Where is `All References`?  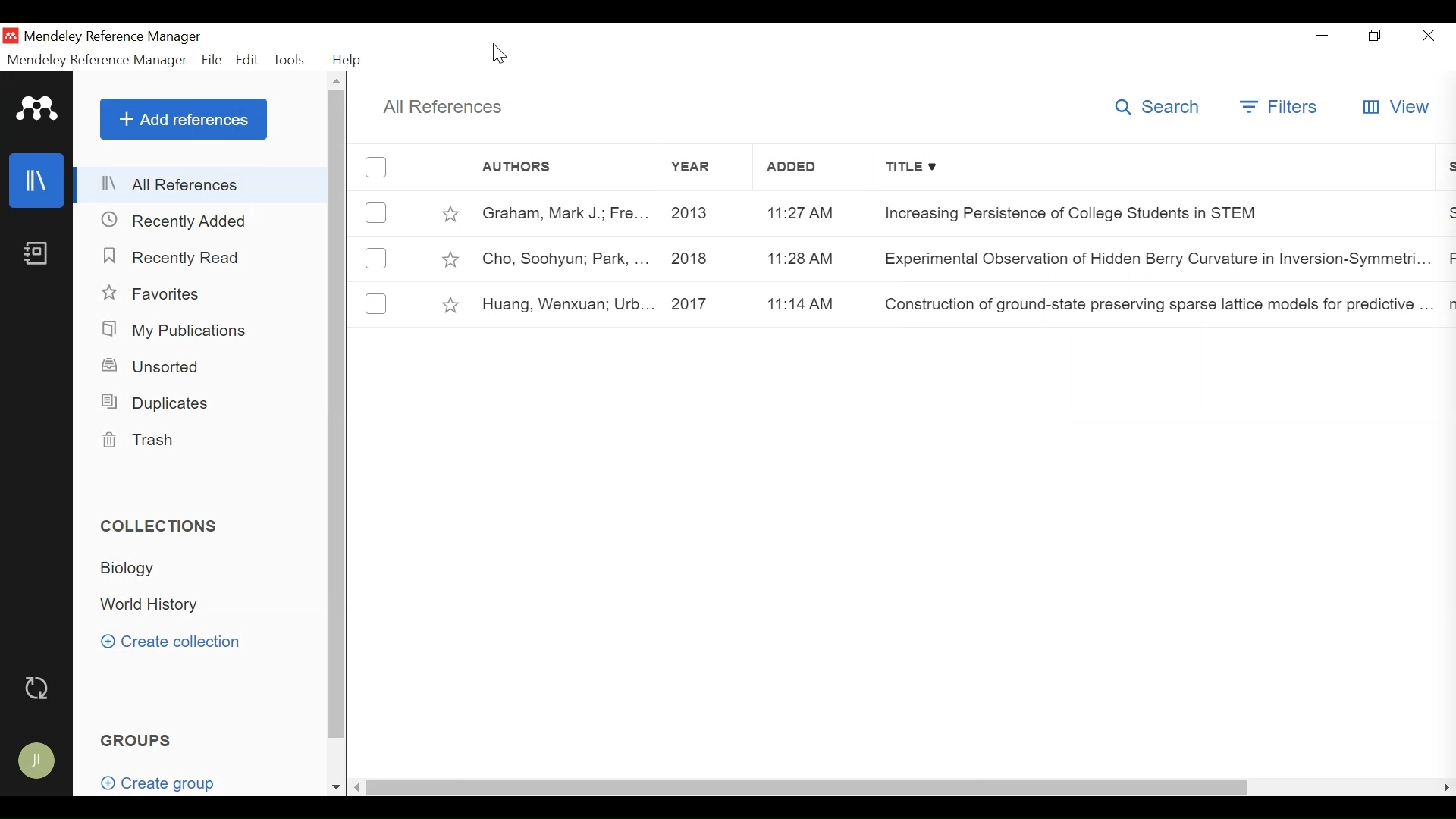
All References is located at coordinates (444, 106).